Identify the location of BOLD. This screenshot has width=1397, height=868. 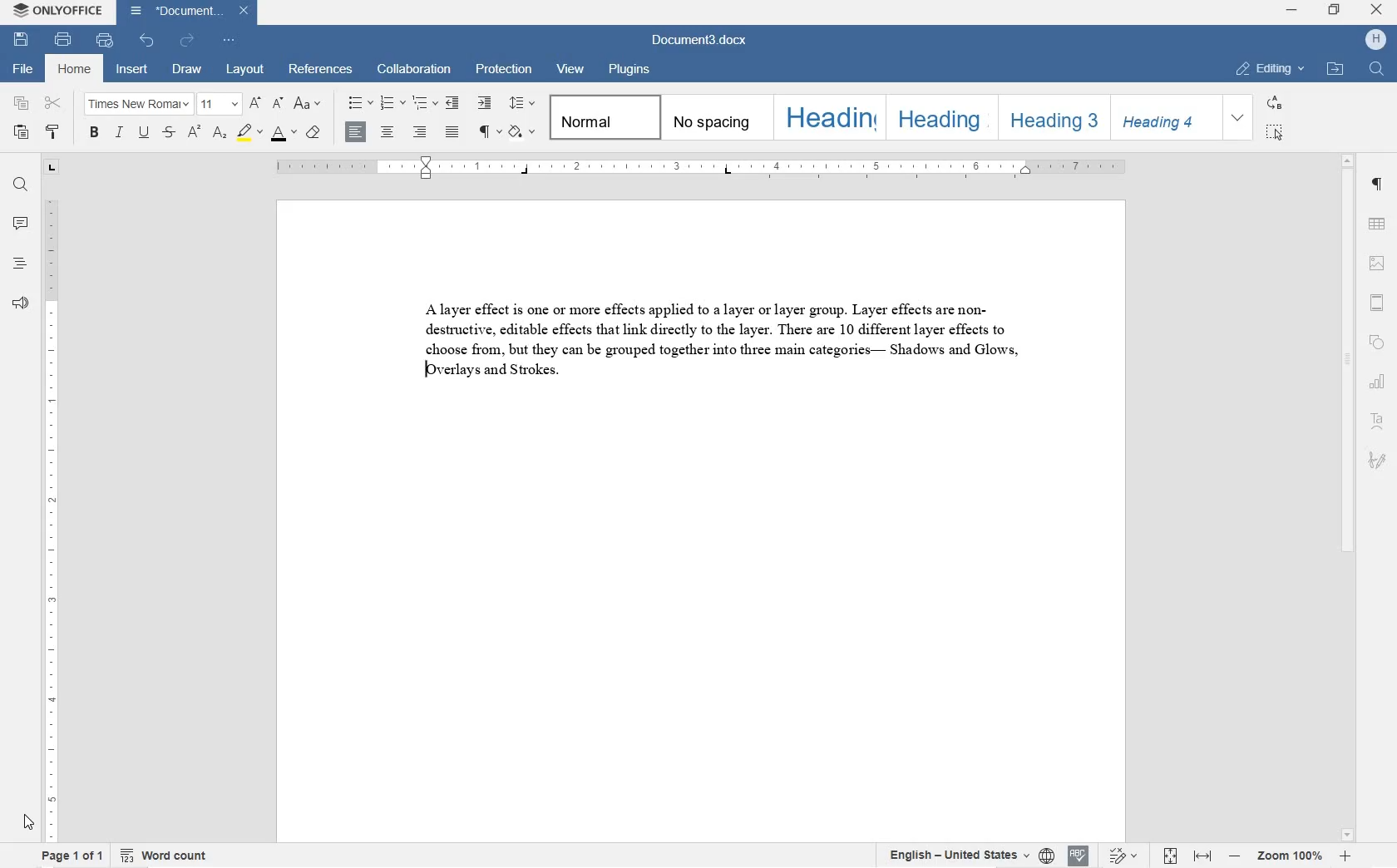
(93, 131).